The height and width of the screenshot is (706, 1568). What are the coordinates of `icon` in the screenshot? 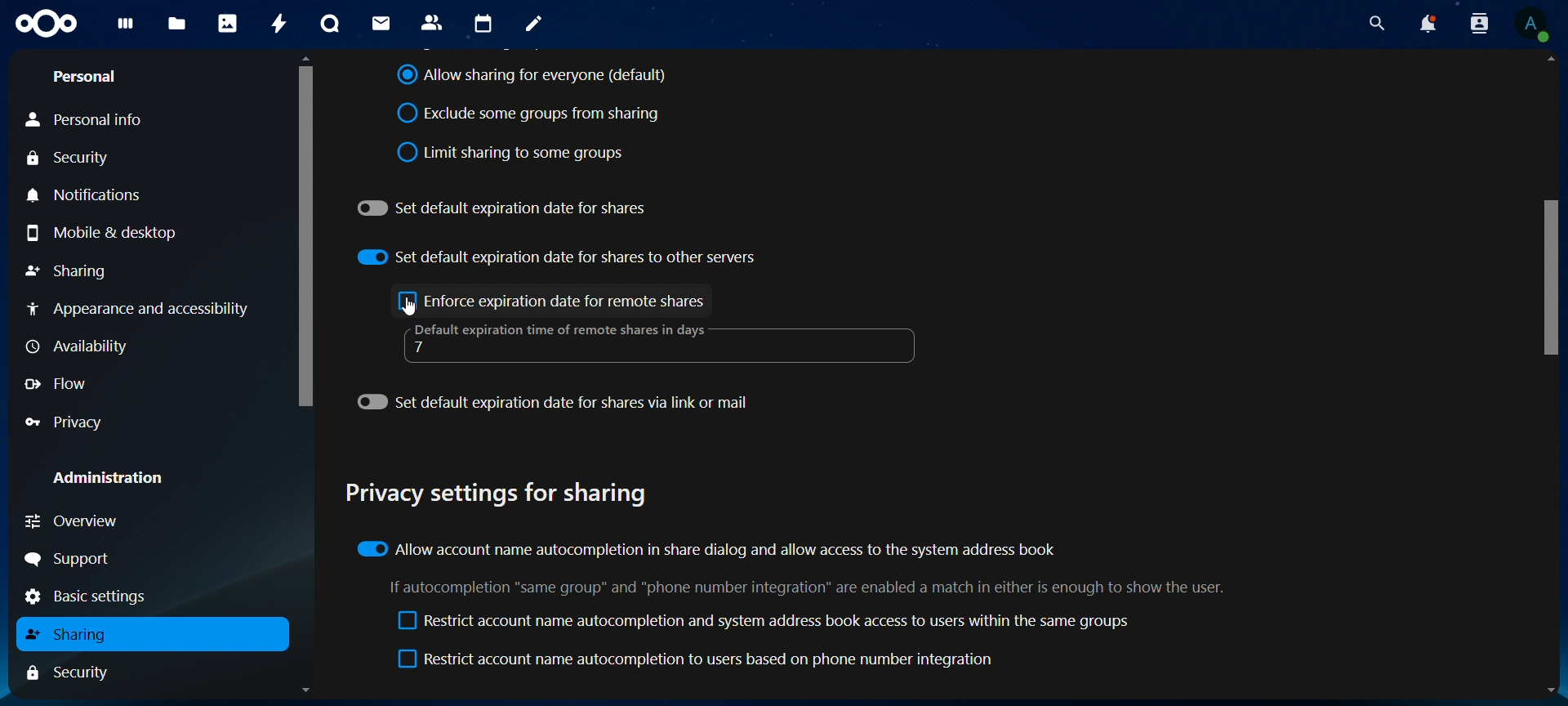 It's located at (51, 24).